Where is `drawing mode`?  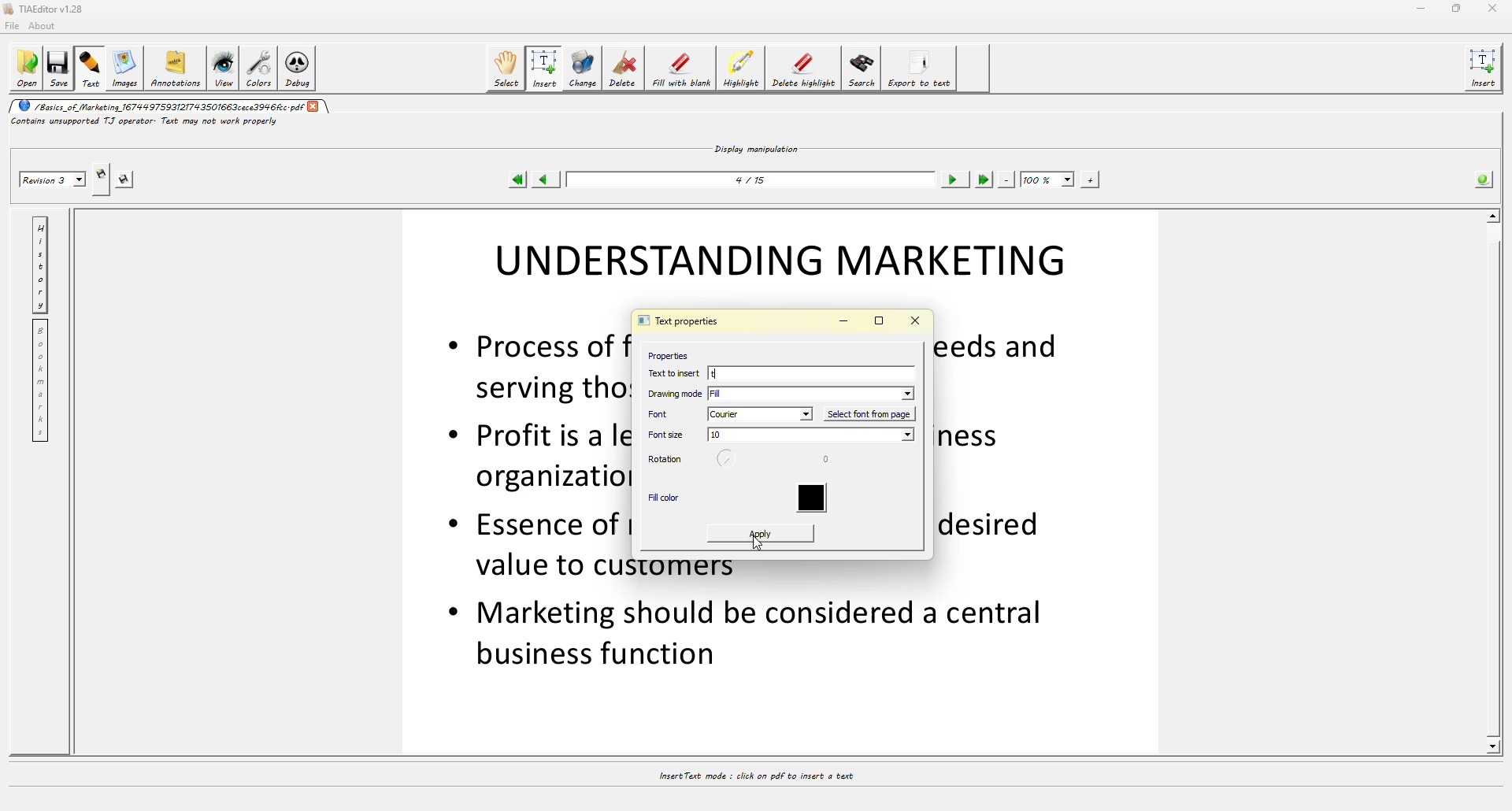
drawing mode is located at coordinates (676, 394).